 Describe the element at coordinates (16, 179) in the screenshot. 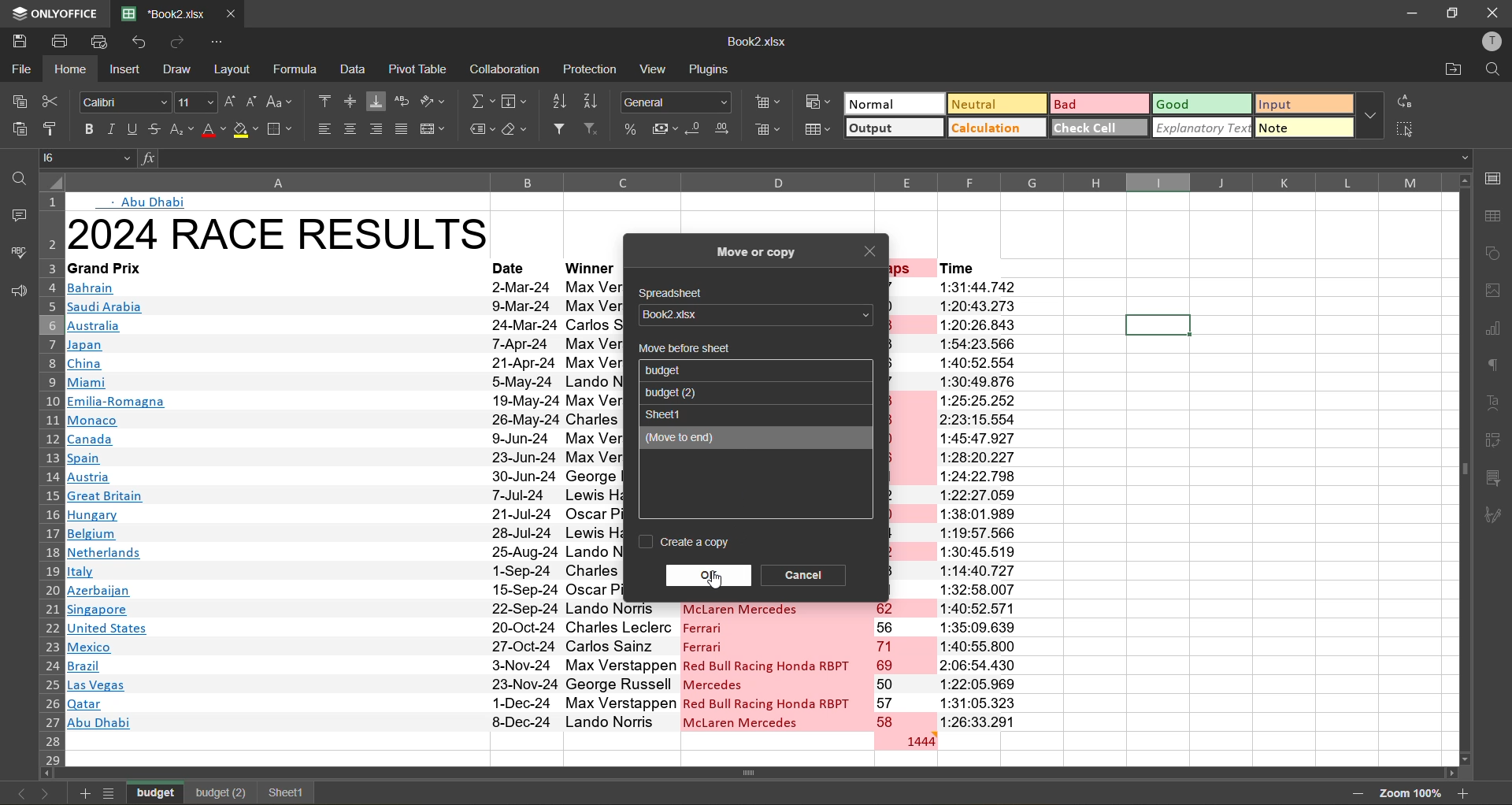

I see `find` at that location.